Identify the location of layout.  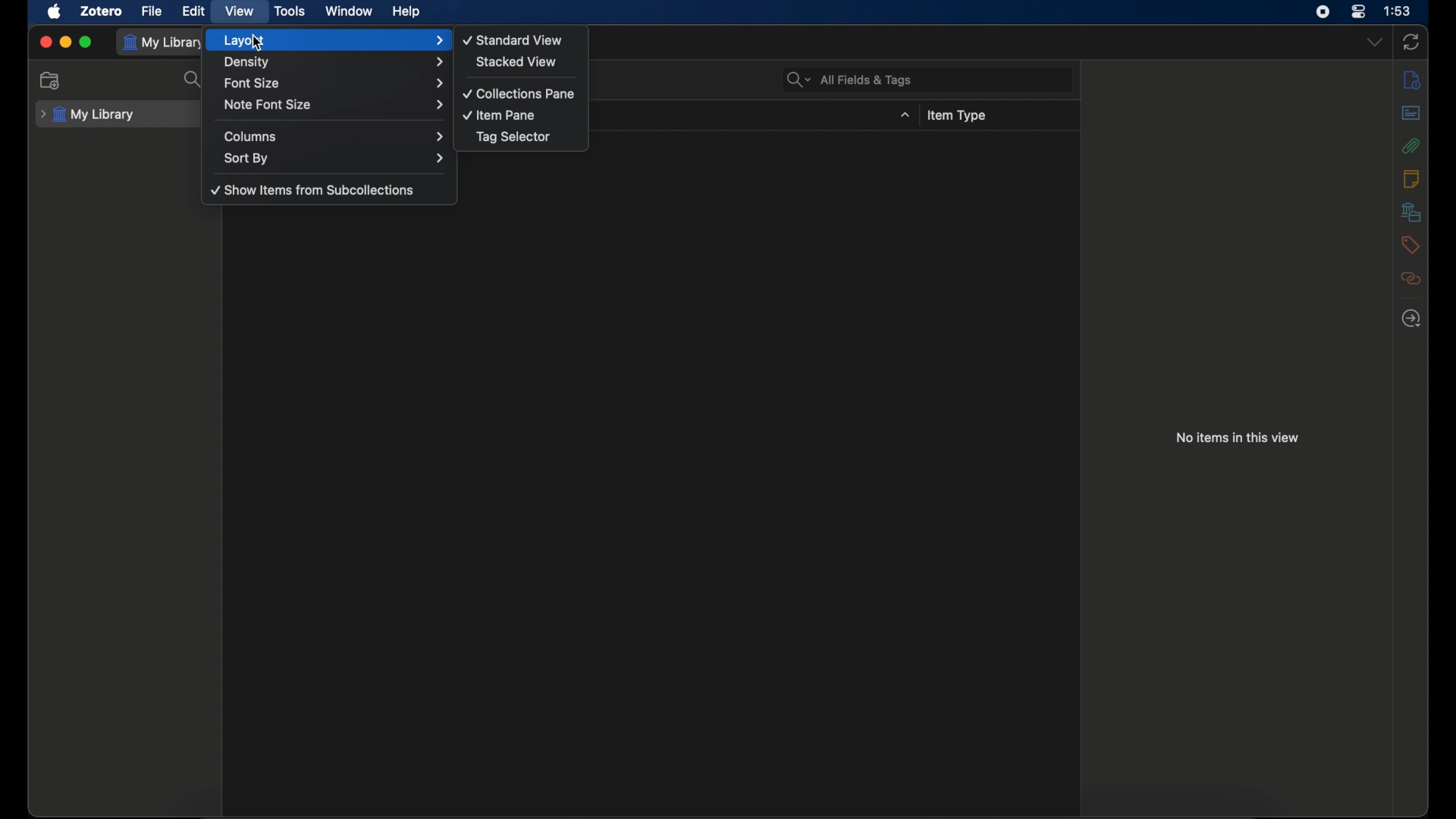
(333, 40).